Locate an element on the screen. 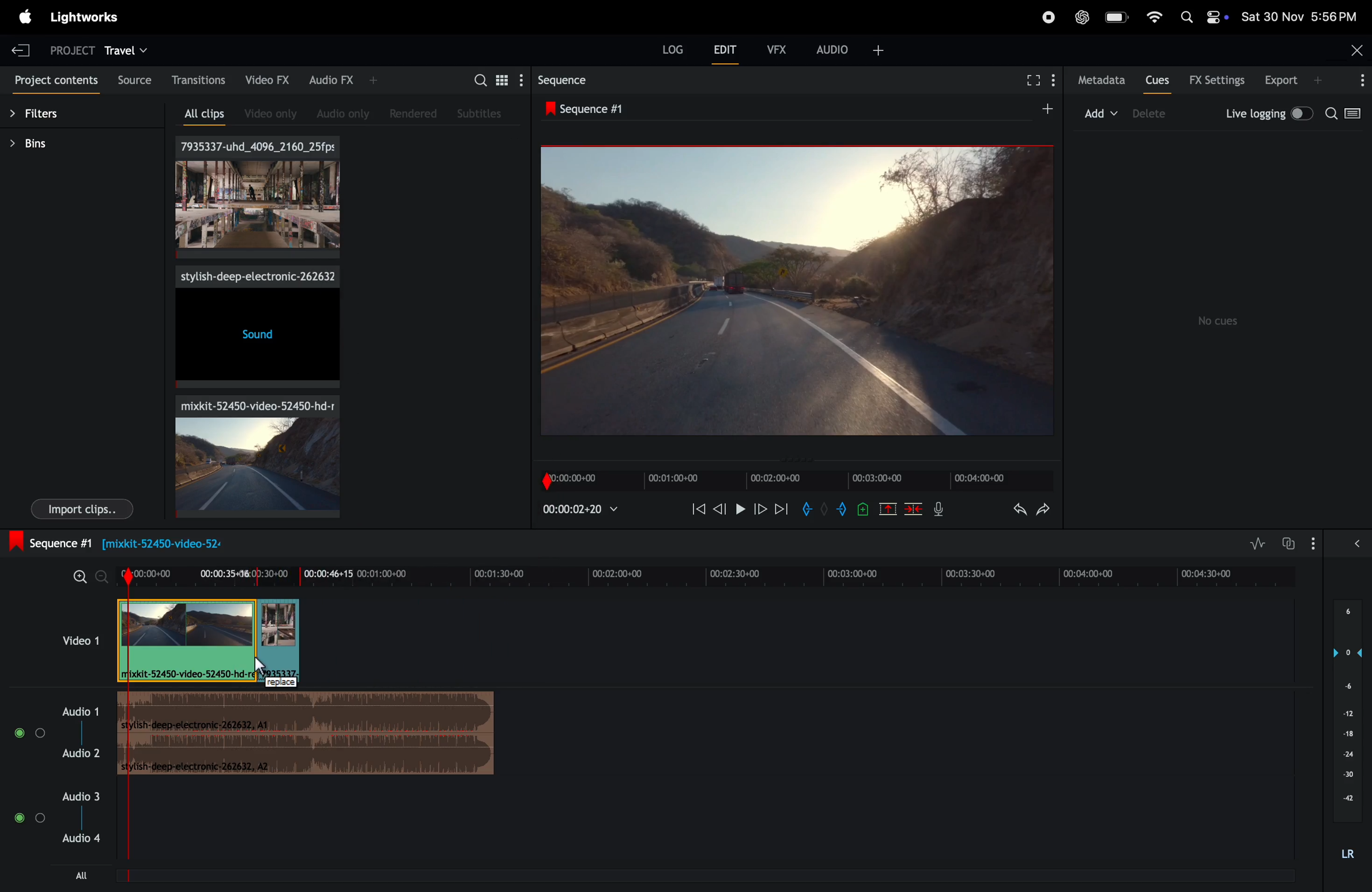 This screenshot has height=892, width=1372. video fx is located at coordinates (269, 80).